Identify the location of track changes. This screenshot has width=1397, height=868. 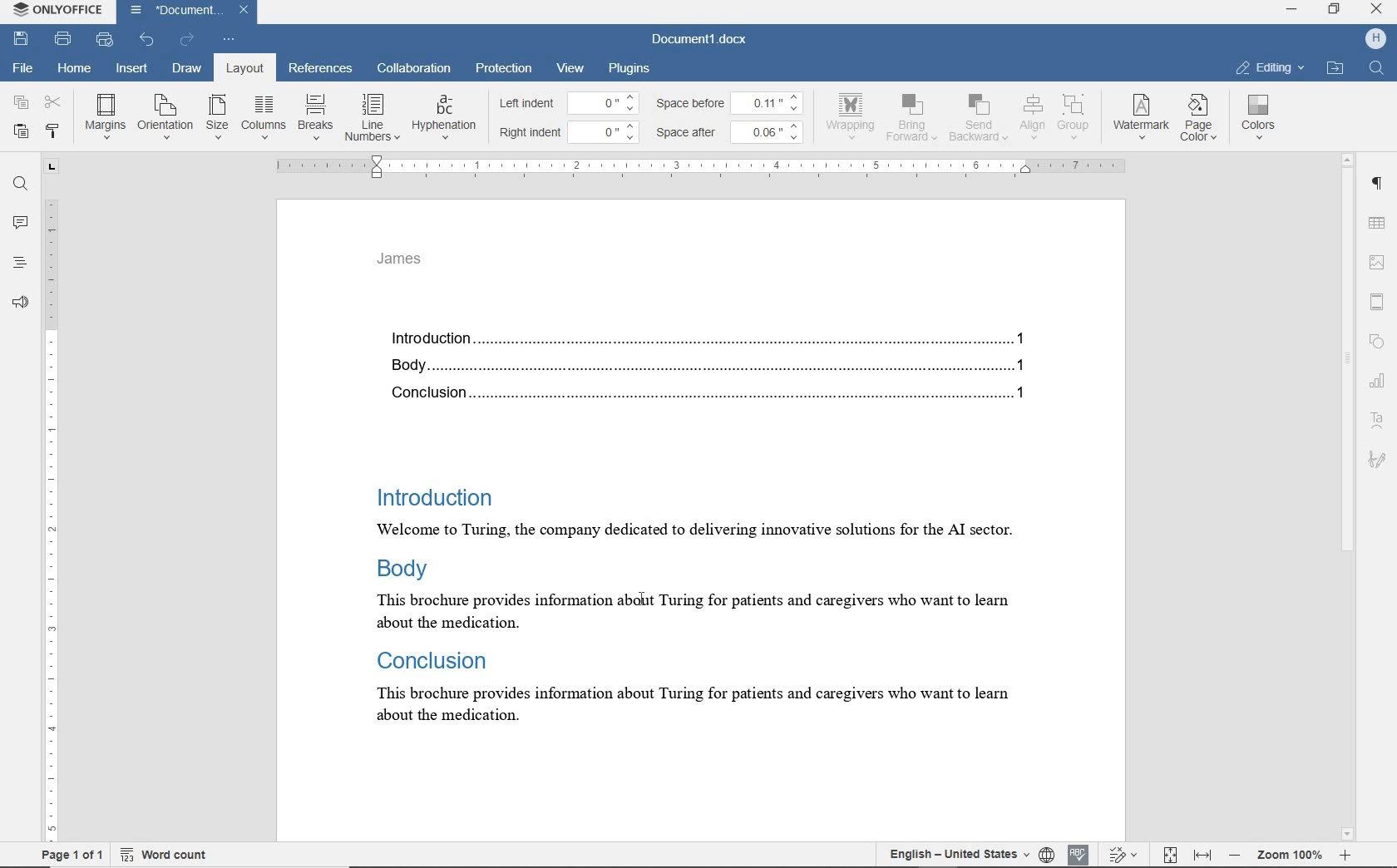
(1125, 854).